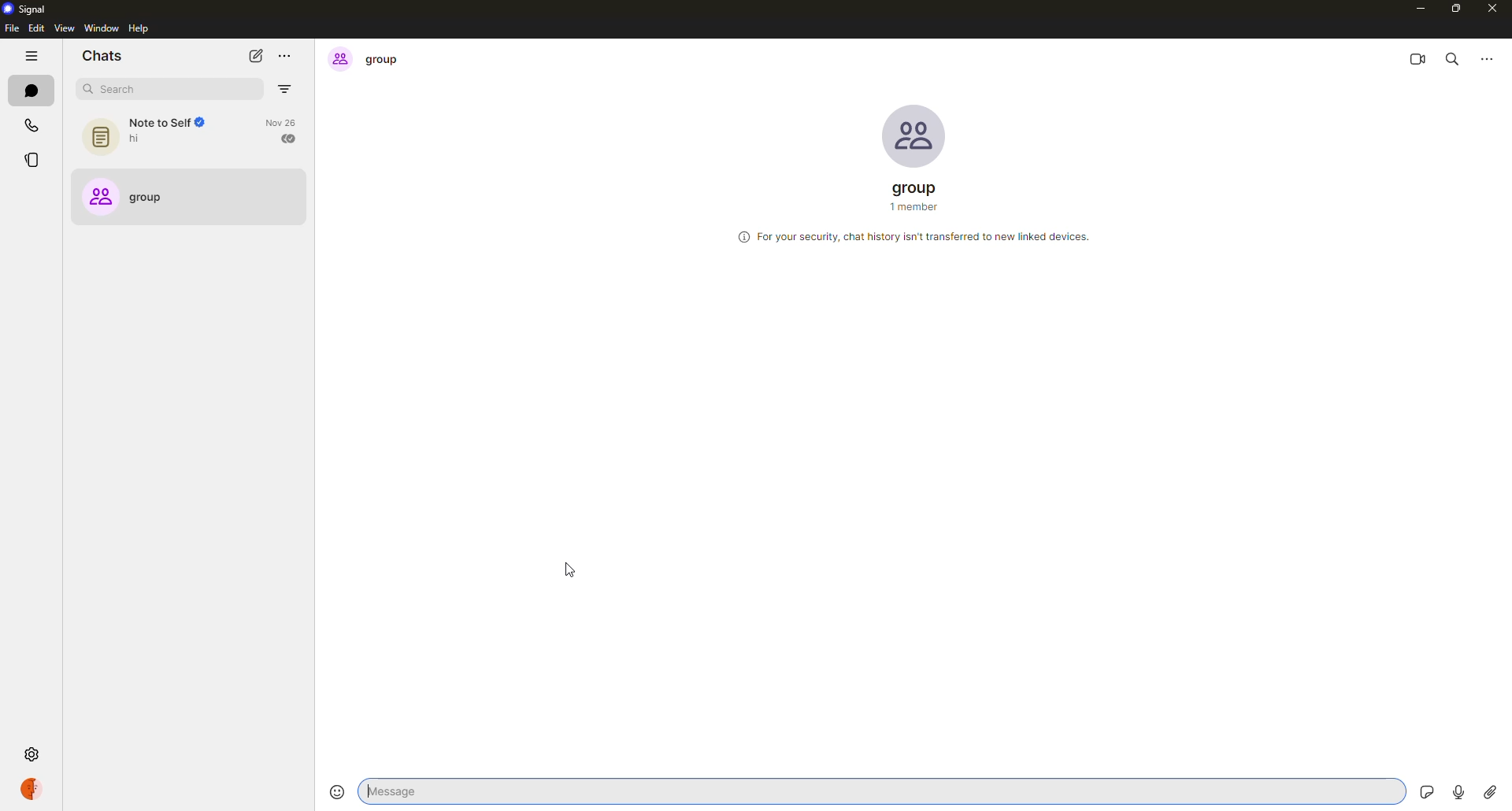 This screenshot has height=811, width=1512. What do you see at coordinates (31, 125) in the screenshot?
I see `calls` at bounding box center [31, 125].